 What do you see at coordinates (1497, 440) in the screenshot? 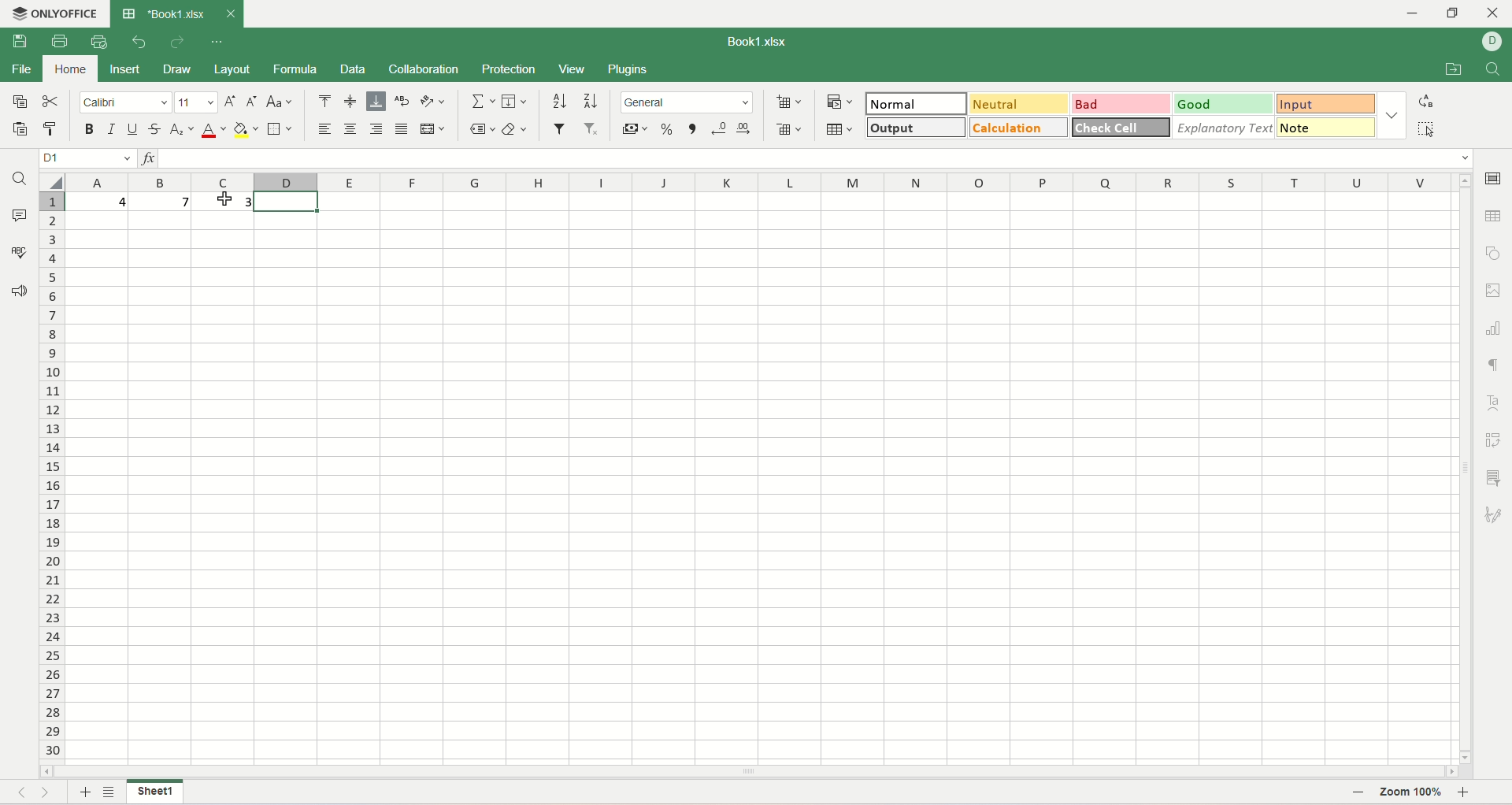
I see `pivot settings` at bounding box center [1497, 440].